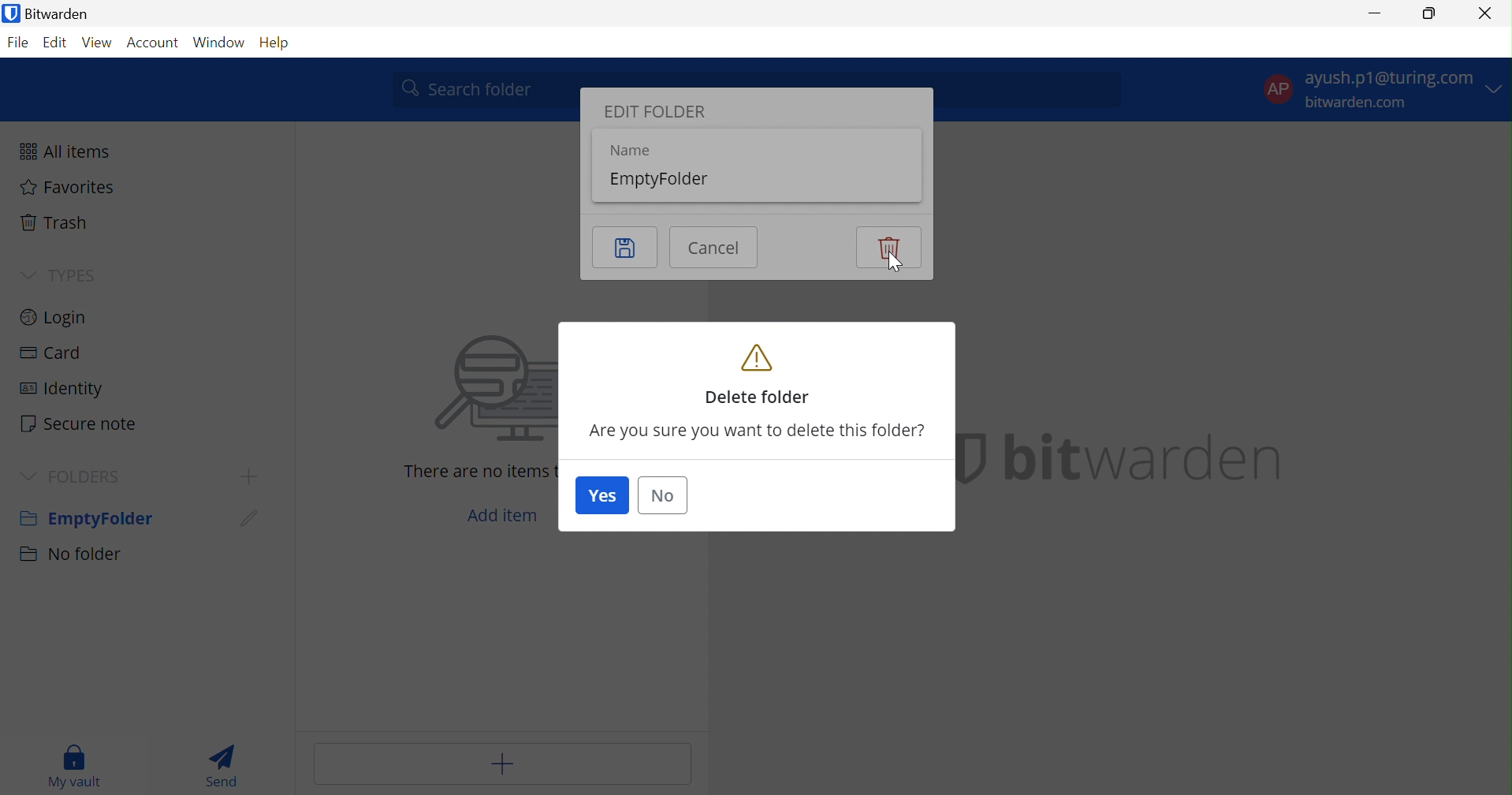 This screenshot has width=1512, height=795. What do you see at coordinates (17, 43) in the screenshot?
I see `File` at bounding box center [17, 43].